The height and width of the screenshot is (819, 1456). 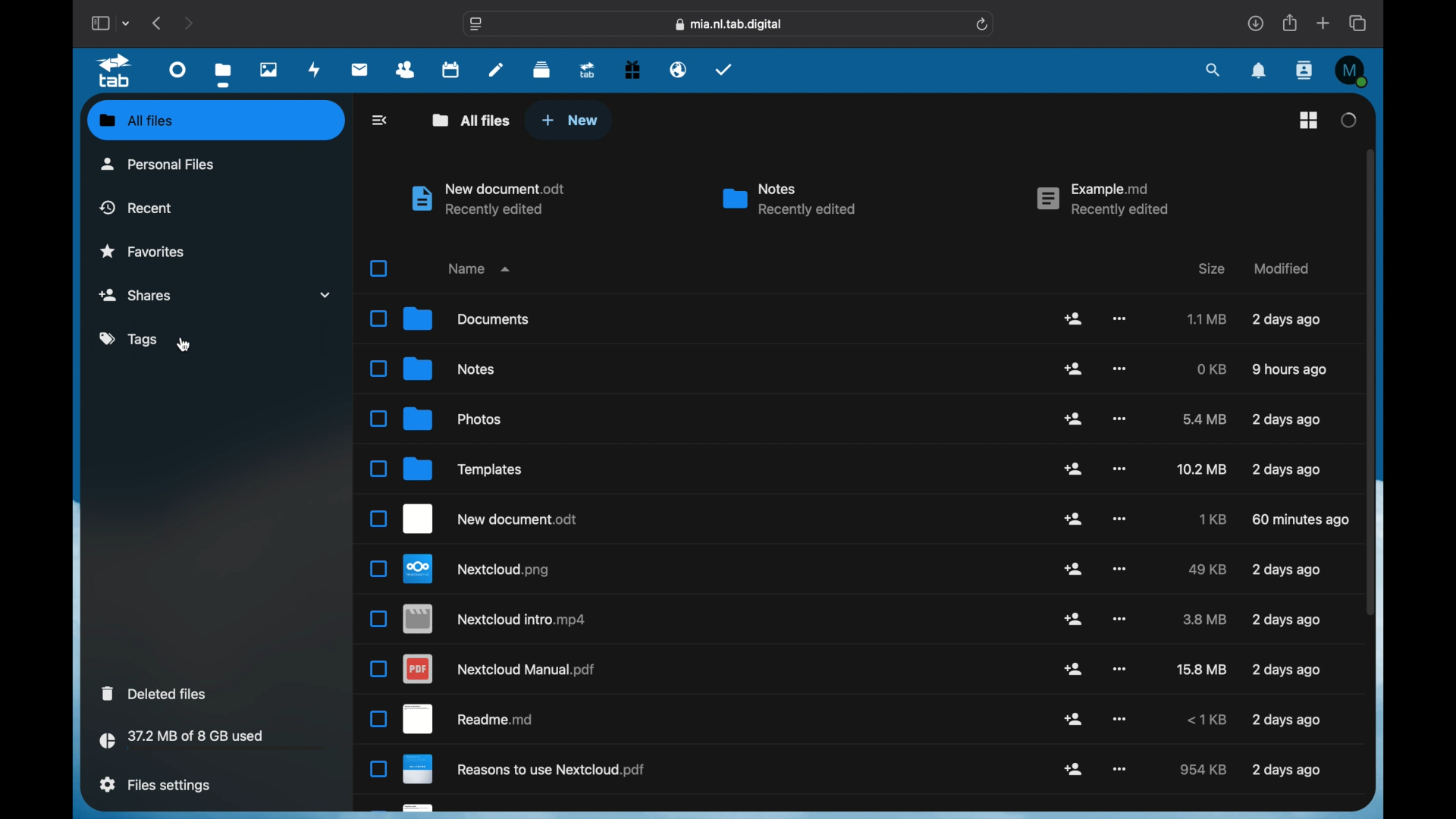 What do you see at coordinates (379, 570) in the screenshot?
I see `Unselected checkbox` at bounding box center [379, 570].